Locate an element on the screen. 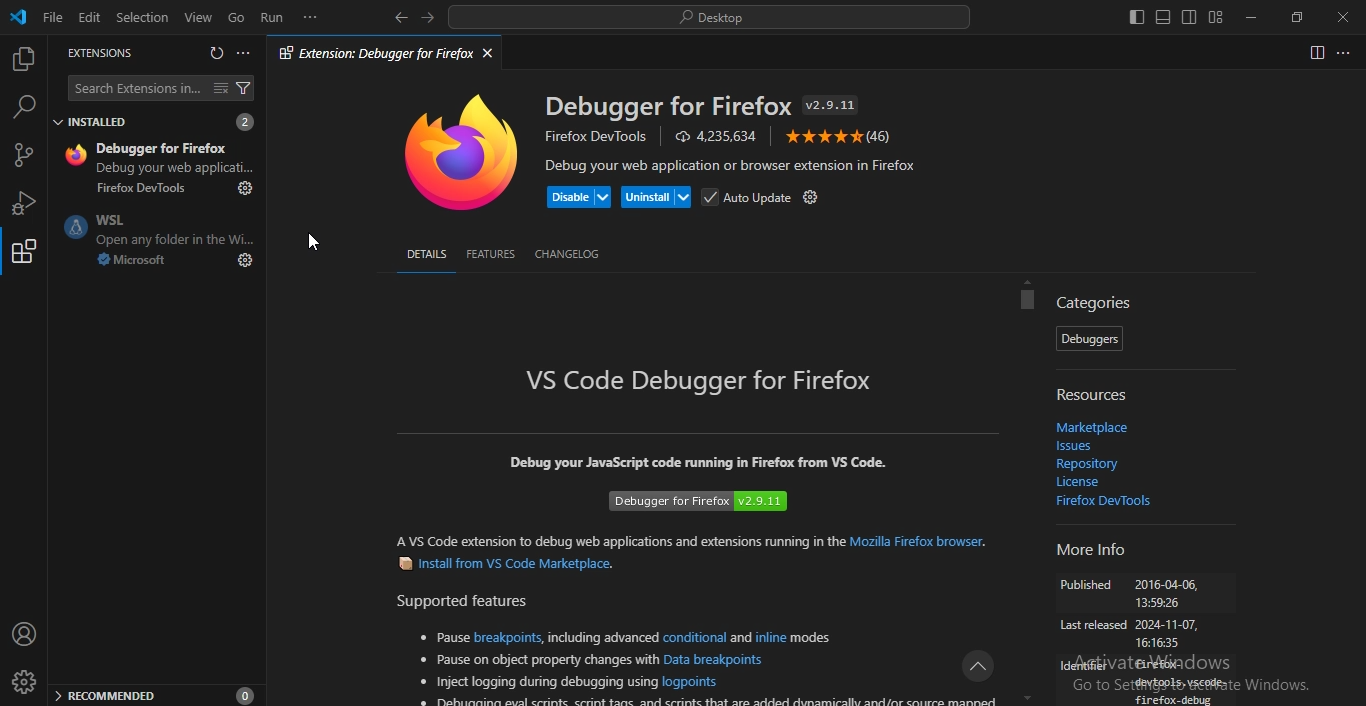  inline is located at coordinates (771, 637).